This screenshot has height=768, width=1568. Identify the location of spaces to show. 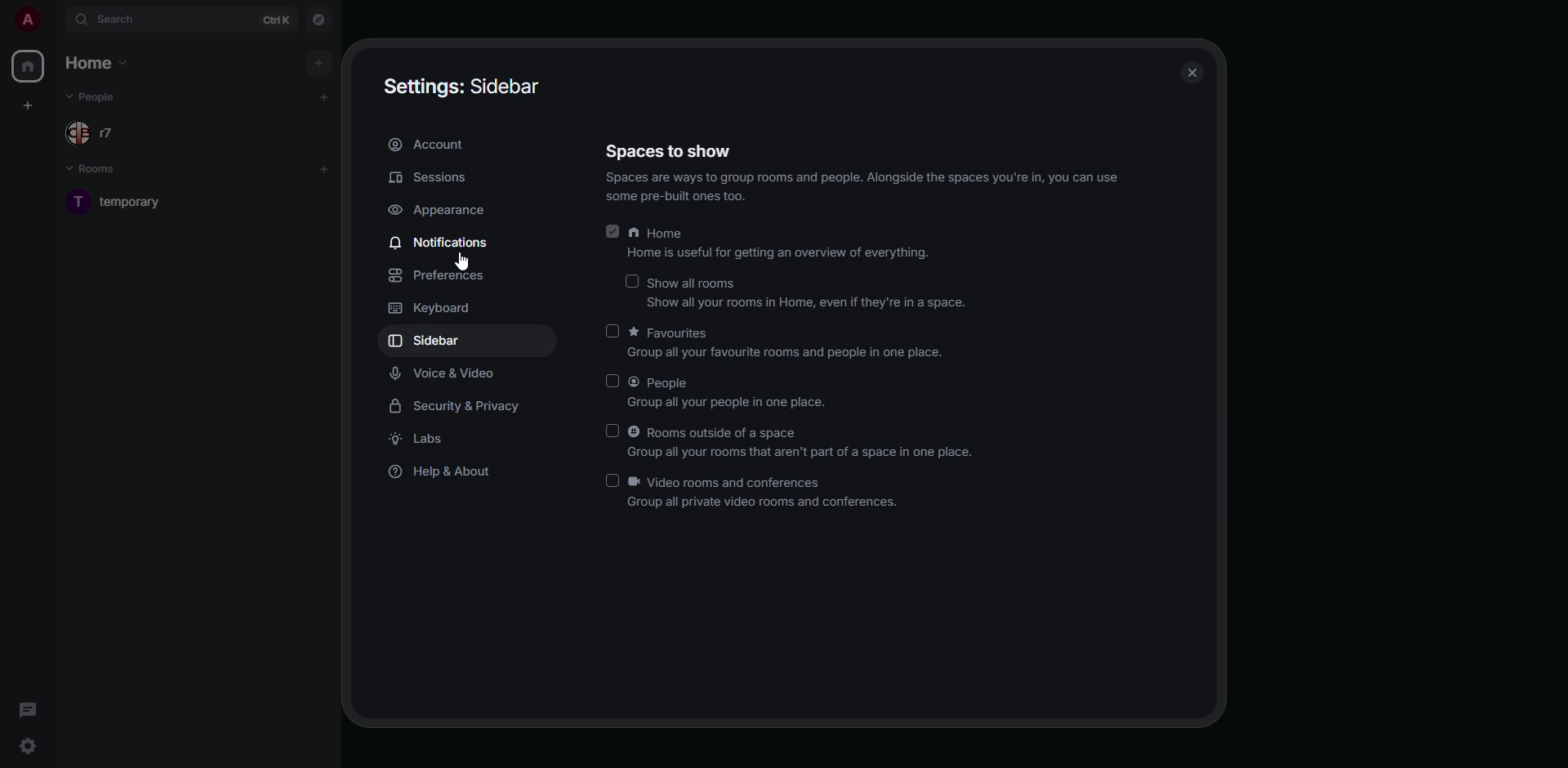
(671, 152).